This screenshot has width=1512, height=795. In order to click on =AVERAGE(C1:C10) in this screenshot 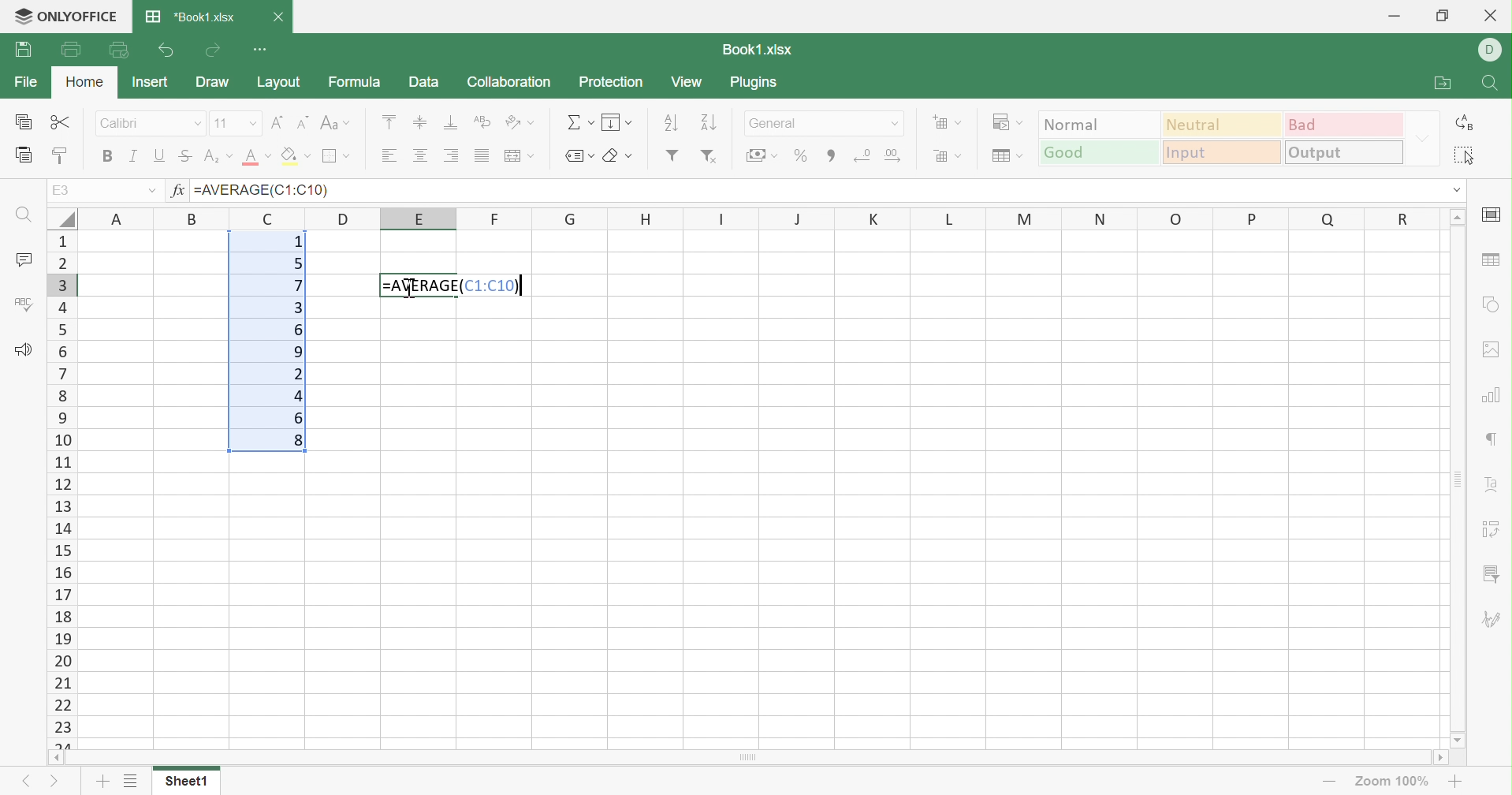, I will do `click(260, 189)`.